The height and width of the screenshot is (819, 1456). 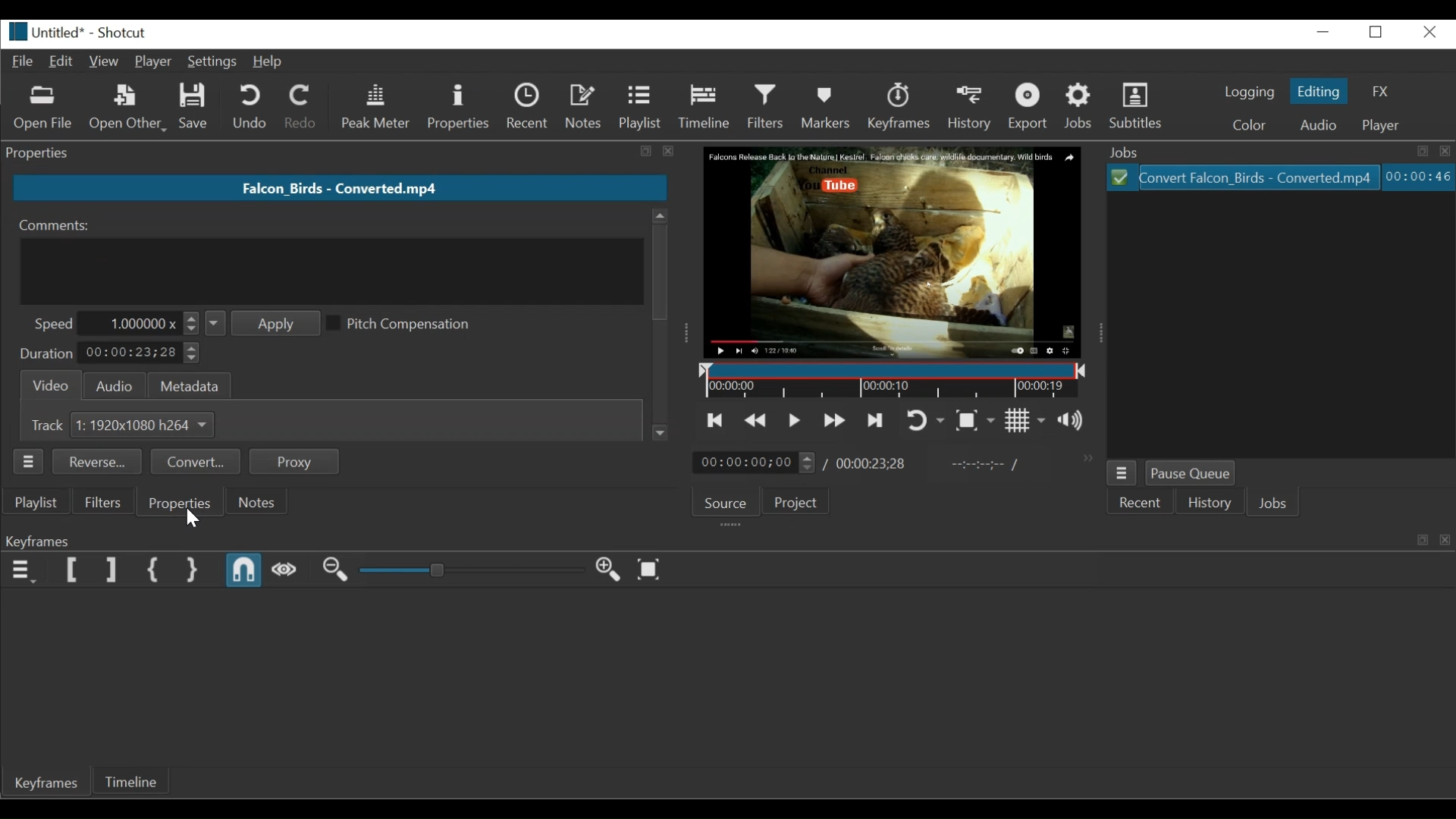 What do you see at coordinates (1280, 151) in the screenshot?
I see `Jobs Panel` at bounding box center [1280, 151].